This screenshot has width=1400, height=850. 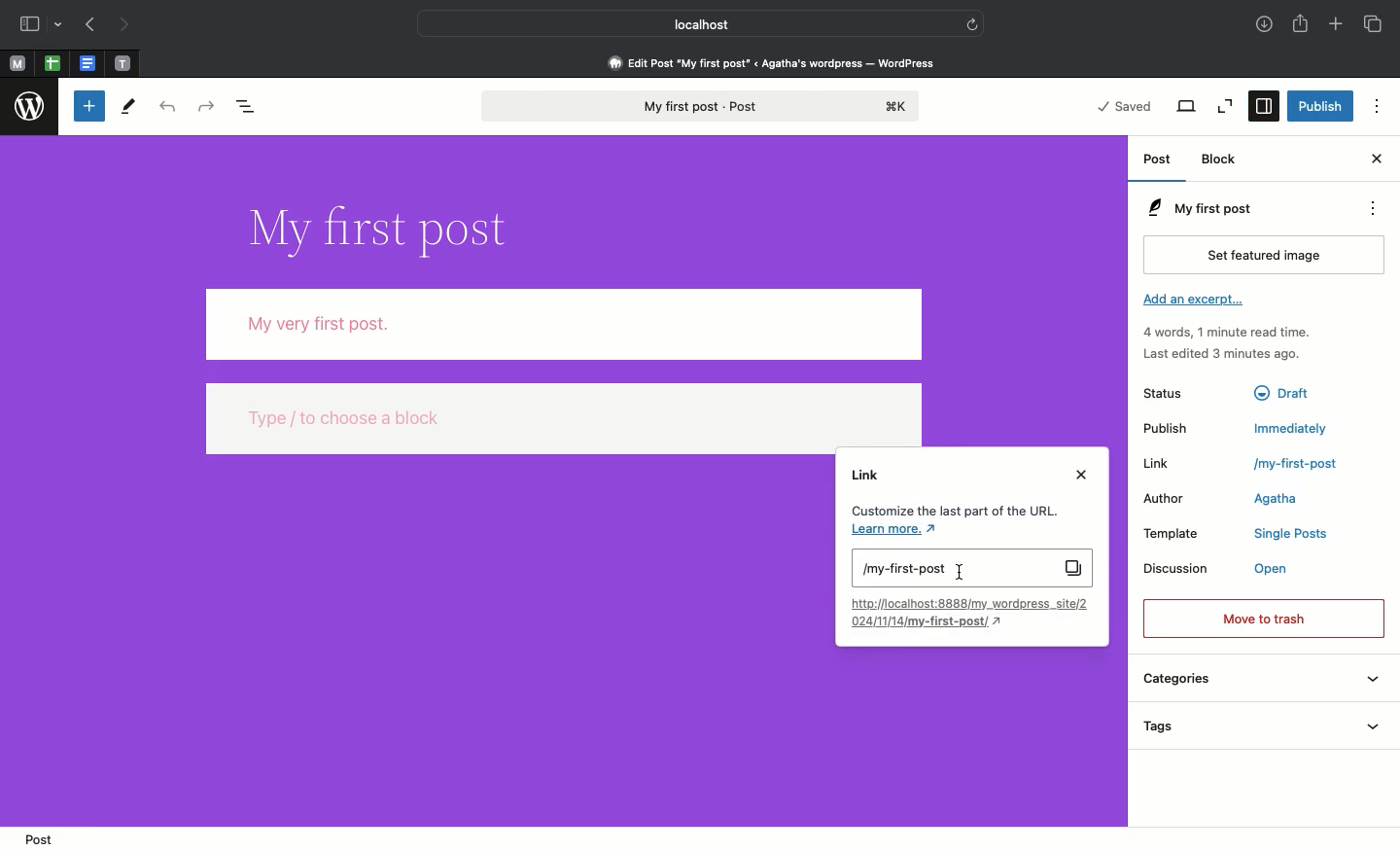 What do you see at coordinates (44, 836) in the screenshot?
I see `Post` at bounding box center [44, 836].